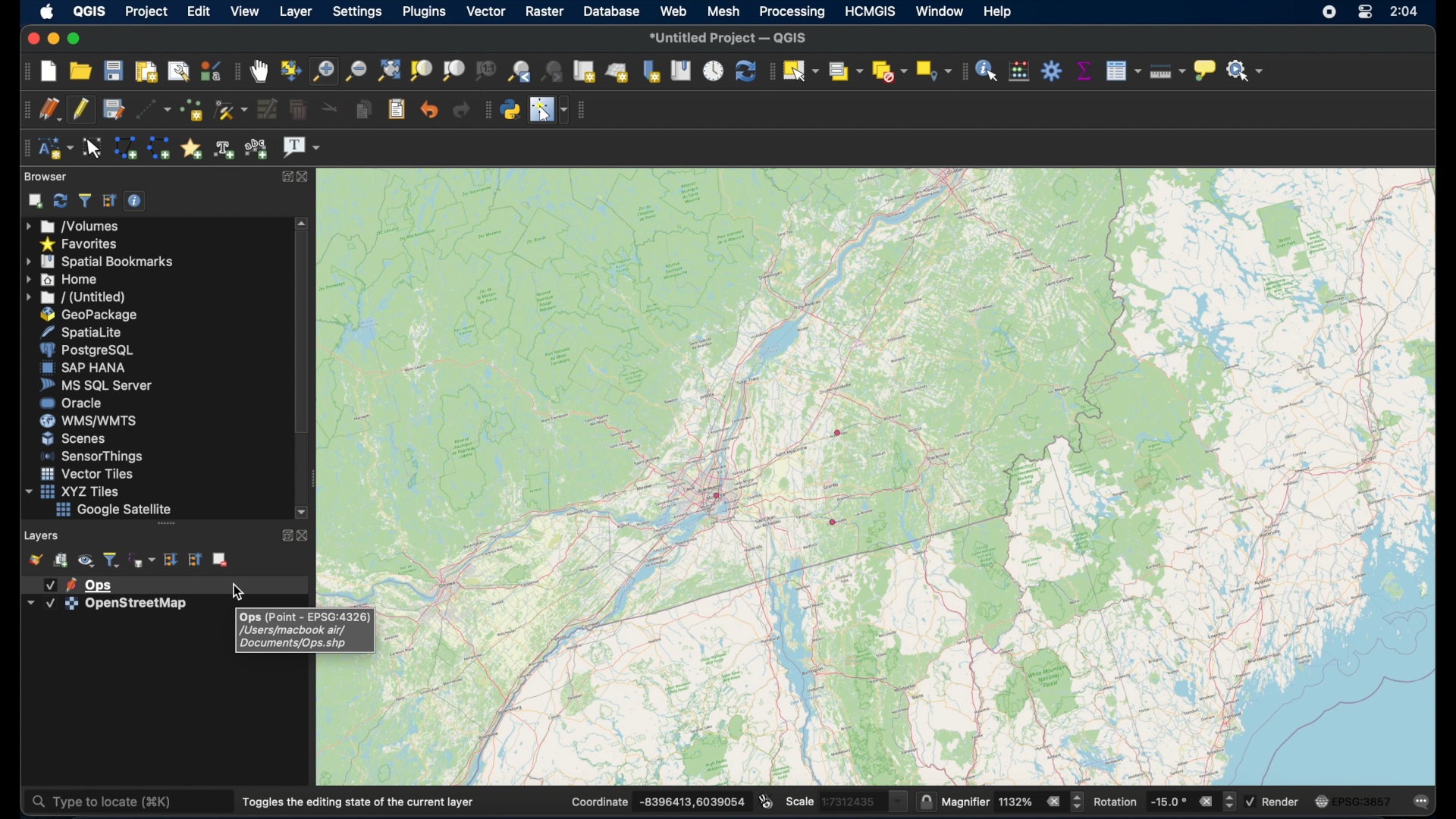  Describe the element at coordinates (545, 11) in the screenshot. I see `raster` at that location.